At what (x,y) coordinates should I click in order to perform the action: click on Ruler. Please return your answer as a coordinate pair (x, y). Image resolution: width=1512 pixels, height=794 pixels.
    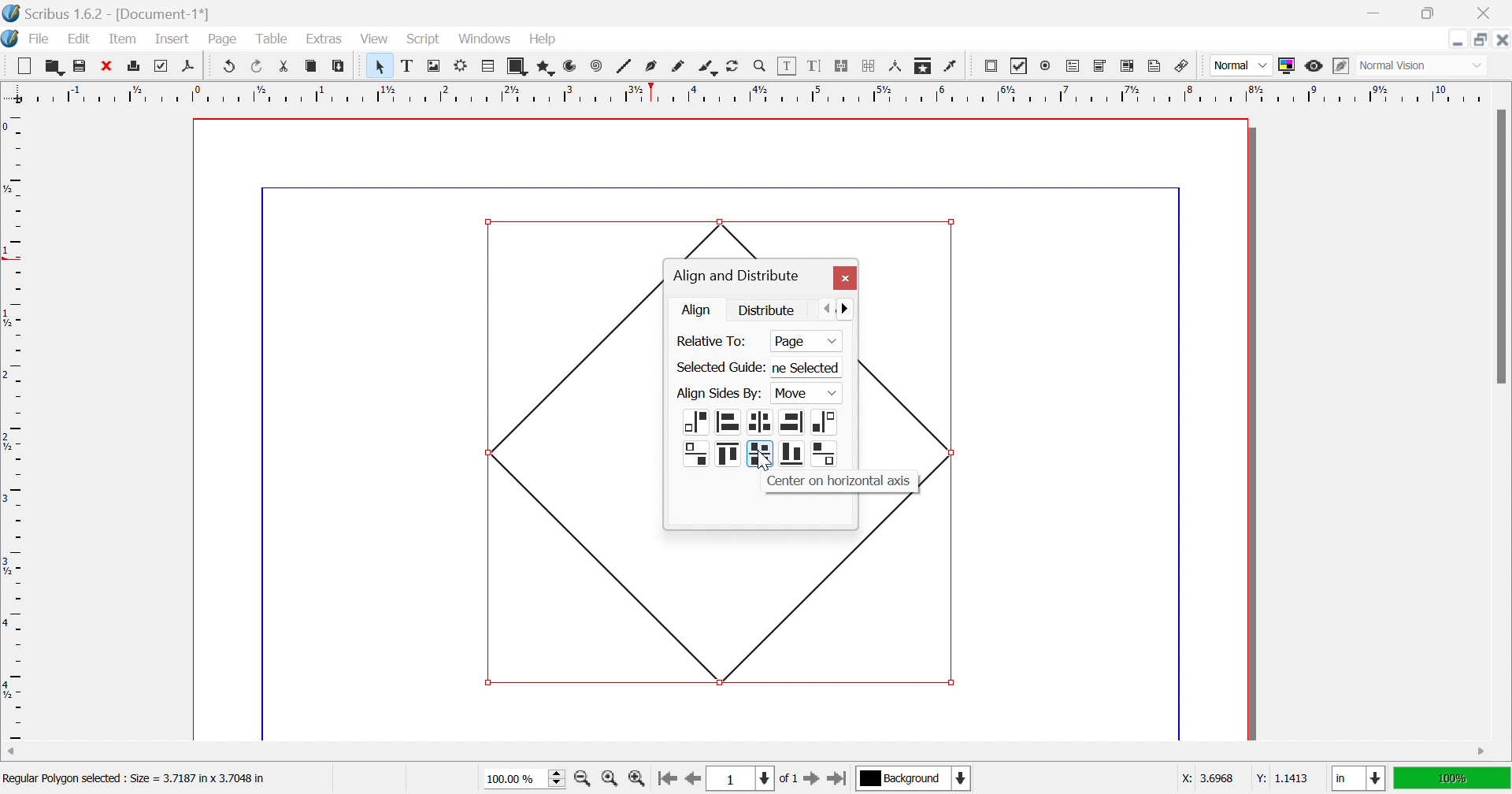
    Looking at the image, I should click on (746, 92).